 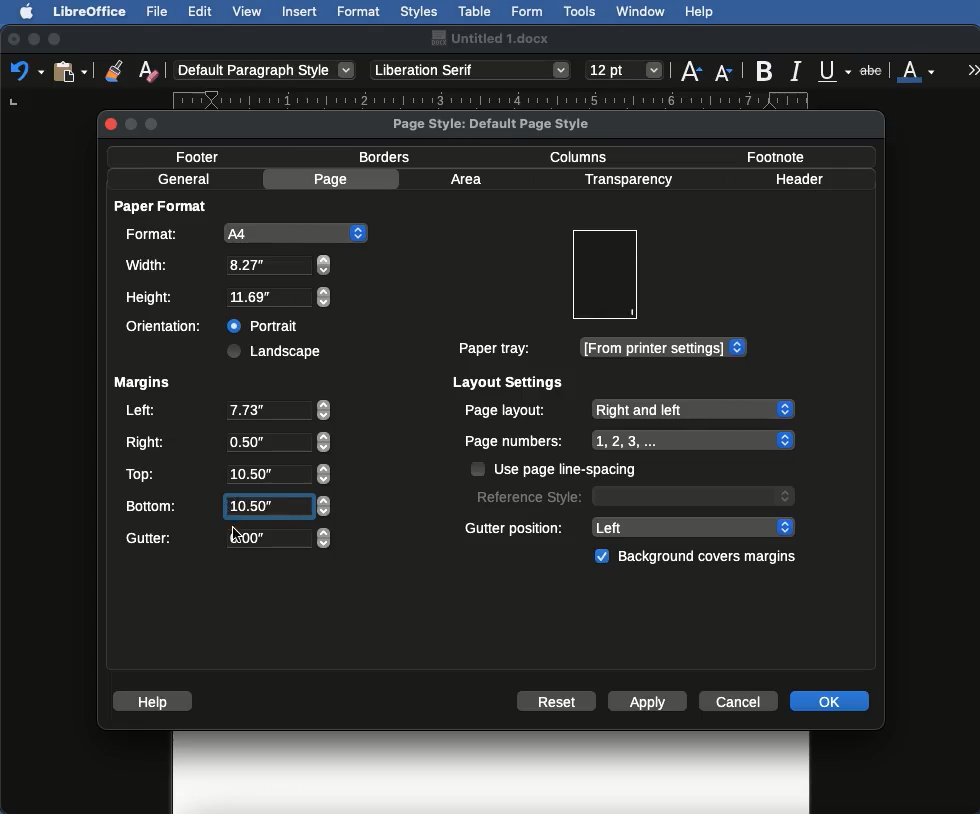 What do you see at coordinates (26, 70) in the screenshot?
I see `Undo` at bounding box center [26, 70].